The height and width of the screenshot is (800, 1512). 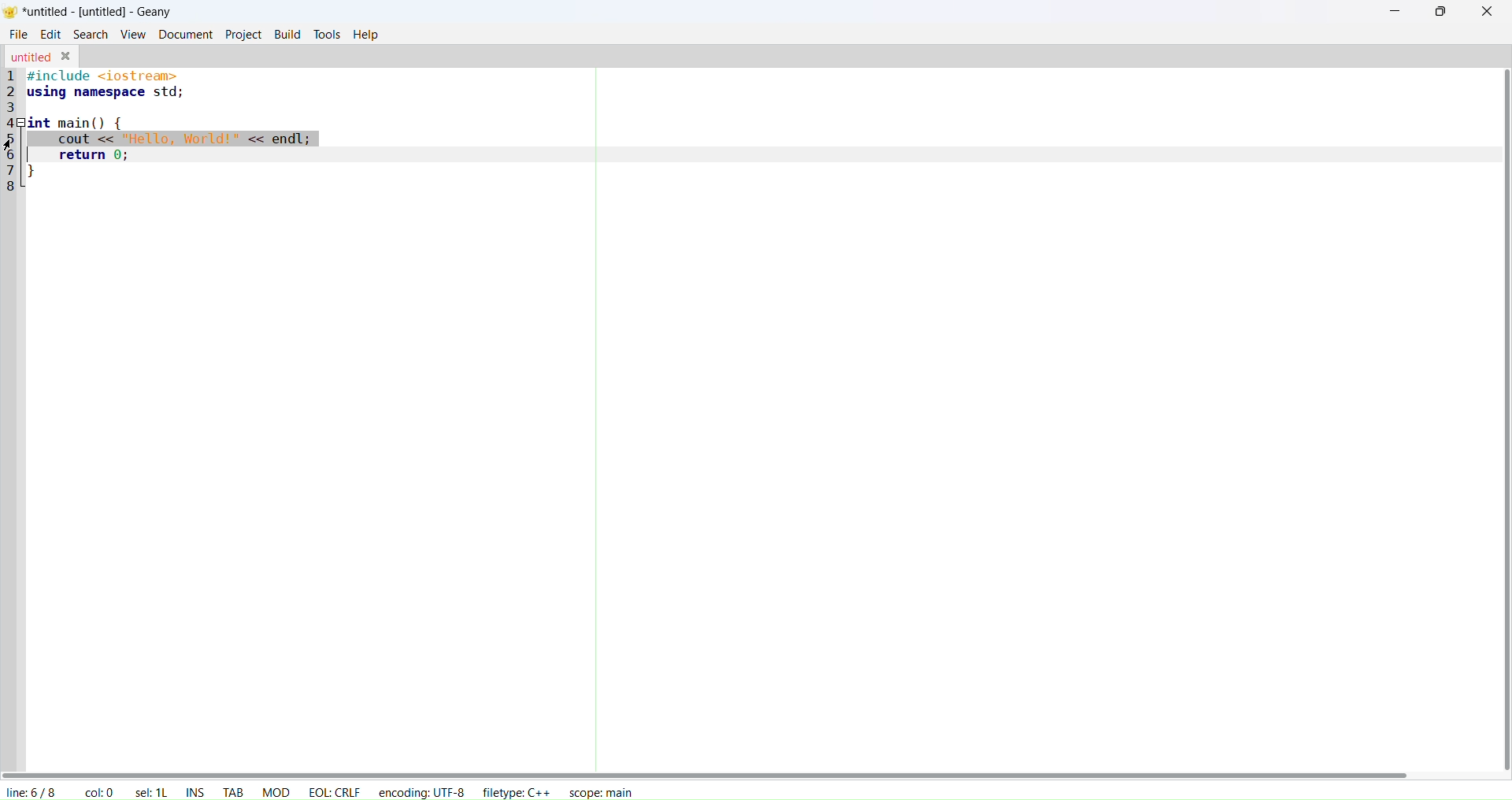 What do you see at coordinates (705, 770) in the screenshot?
I see `horizonal scroll bar` at bounding box center [705, 770].